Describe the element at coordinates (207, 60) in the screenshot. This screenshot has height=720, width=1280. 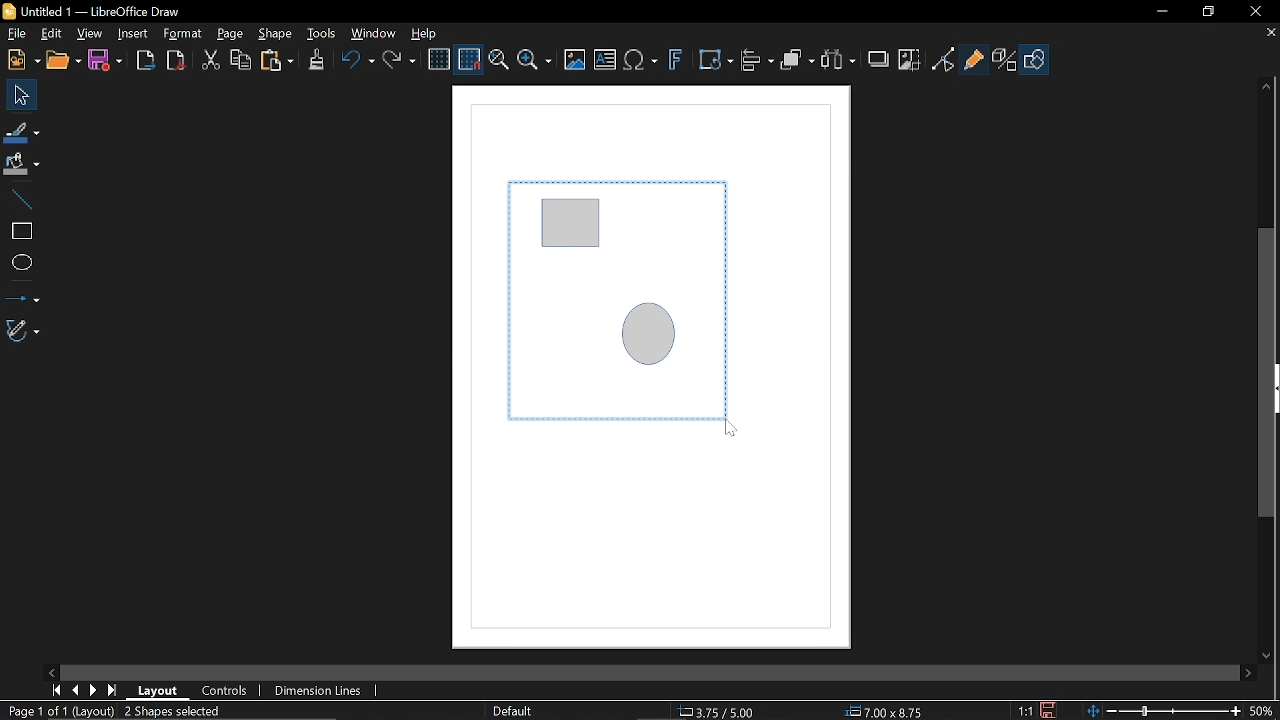
I see `Cut` at that location.